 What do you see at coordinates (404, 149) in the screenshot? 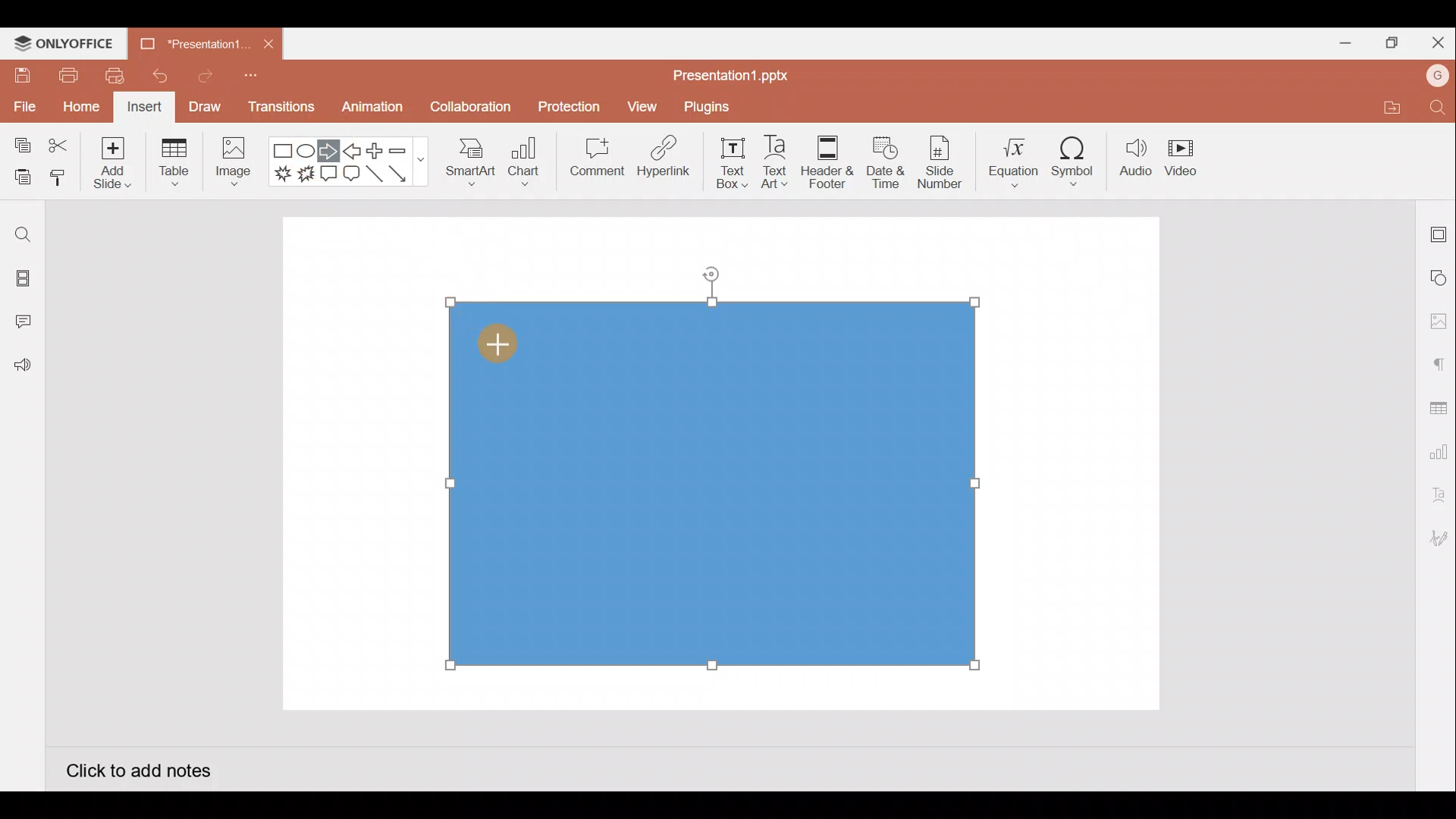
I see `Minus` at bounding box center [404, 149].